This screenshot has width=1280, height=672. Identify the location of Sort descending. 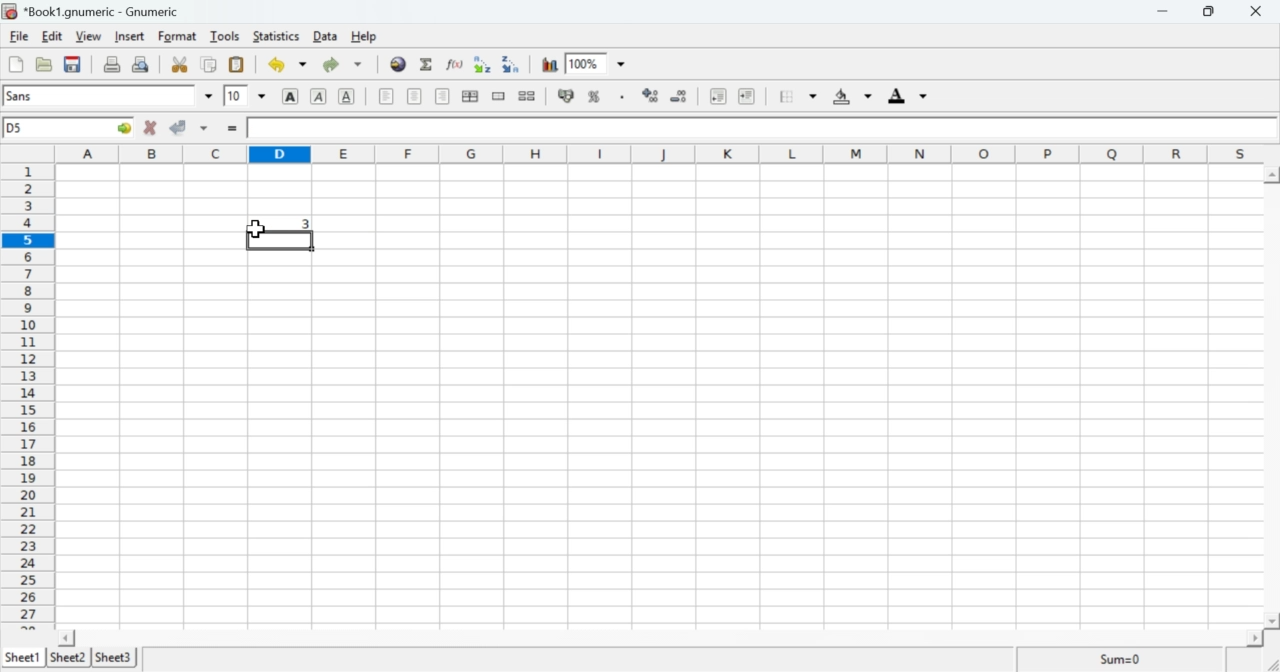
(513, 65).